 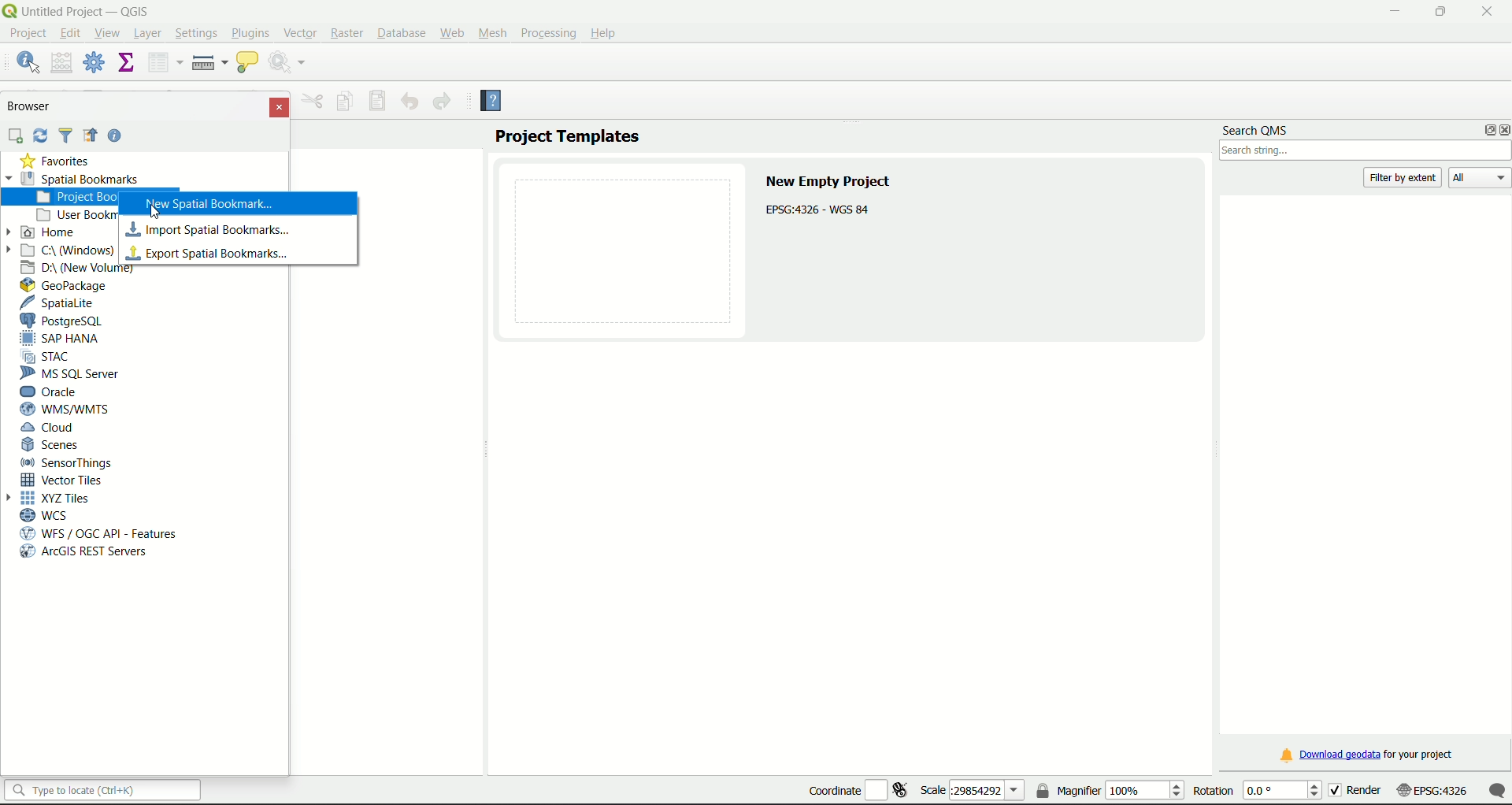 What do you see at coordinates (344, 102) in the screenshot?
I see `Copy feature` at bounding box center [344, 102].